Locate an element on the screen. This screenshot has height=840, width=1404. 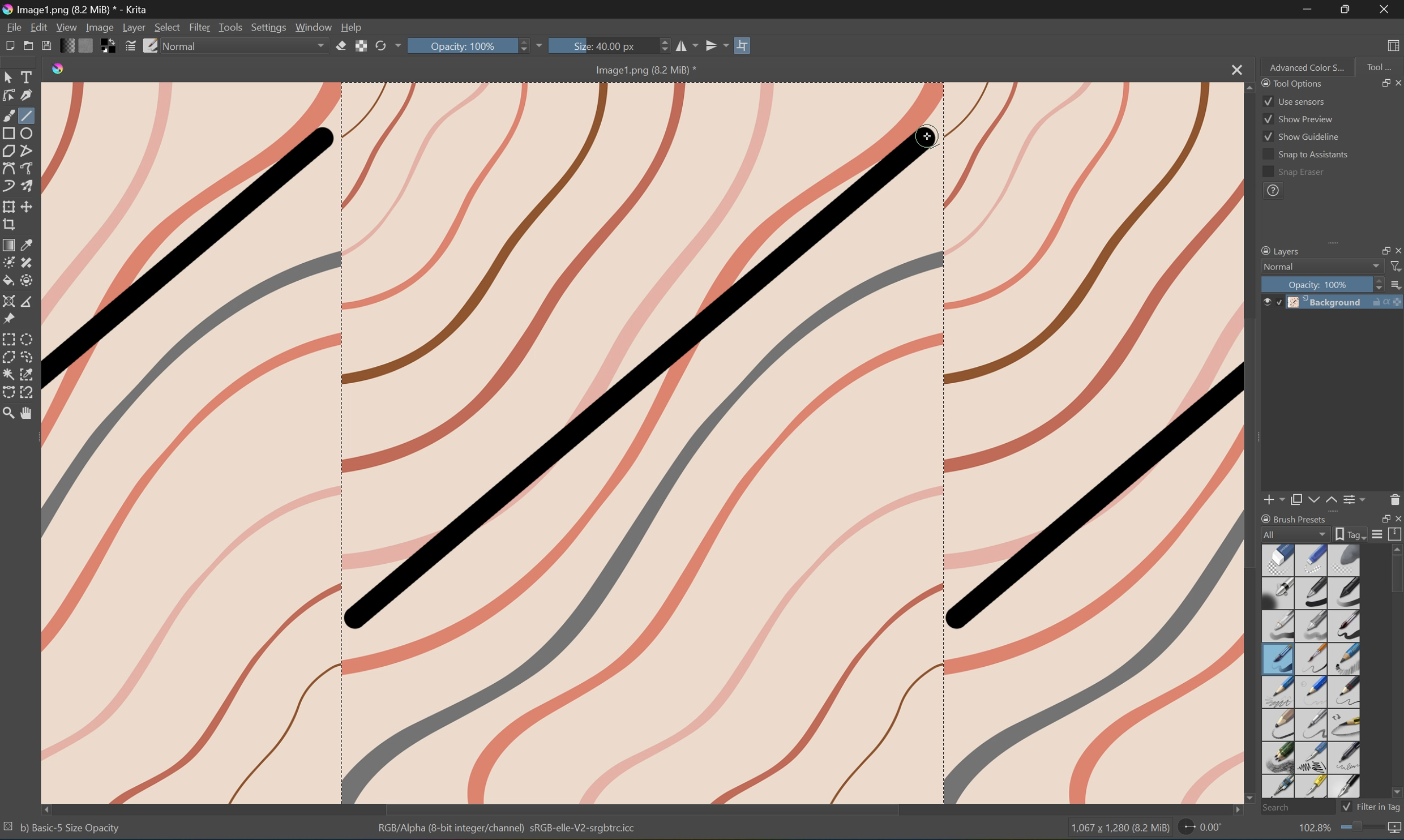
Select is located at coordinates (167, 27).